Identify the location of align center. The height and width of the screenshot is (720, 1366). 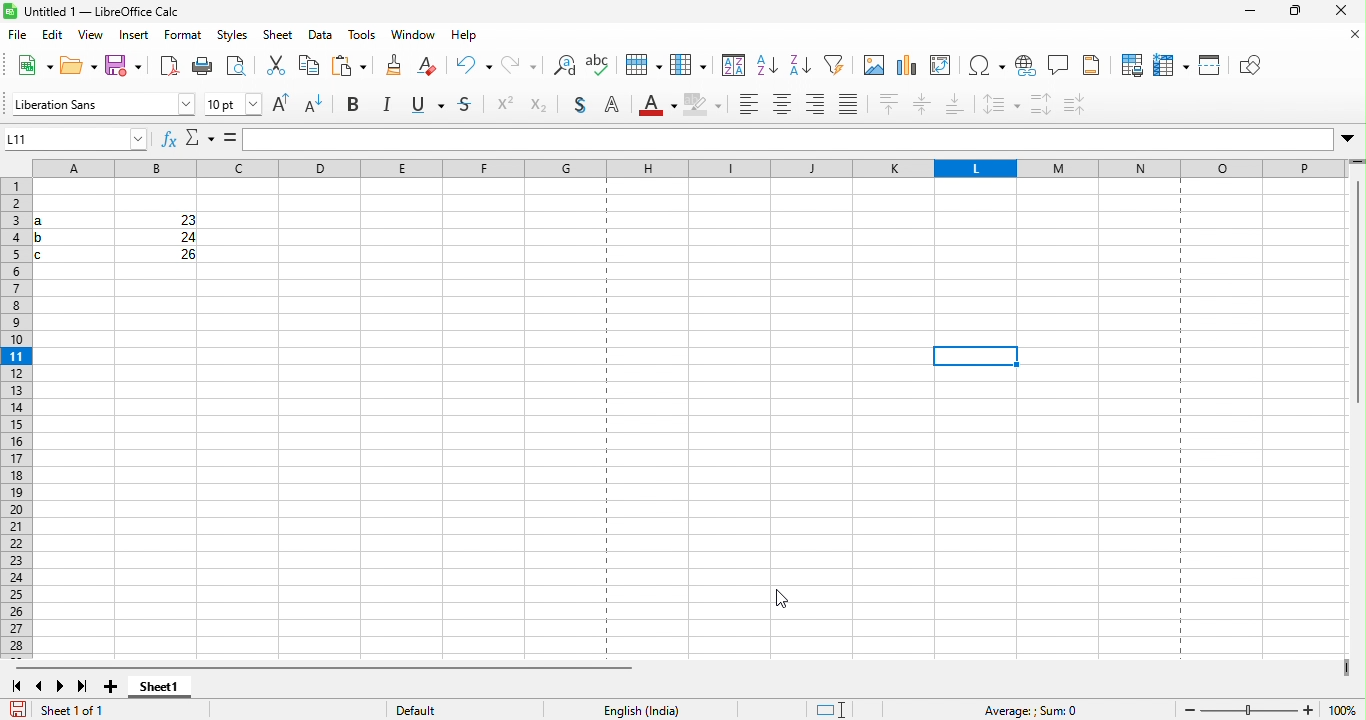
(781, 108).